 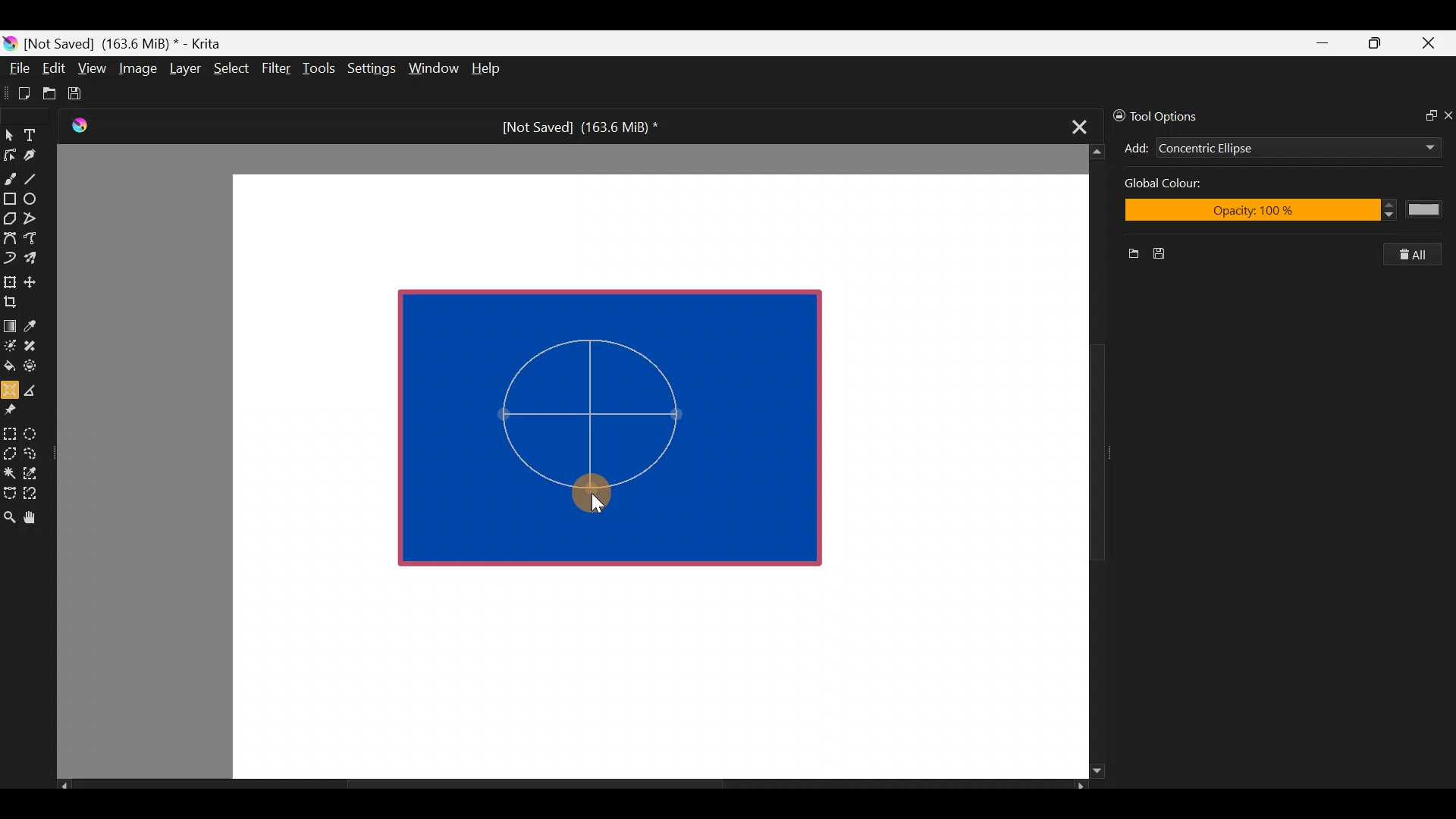 What do you see at coordinates (10, 344) in the screenshot?
I see `Colourise mask tool` at bounding box center [10, 344].